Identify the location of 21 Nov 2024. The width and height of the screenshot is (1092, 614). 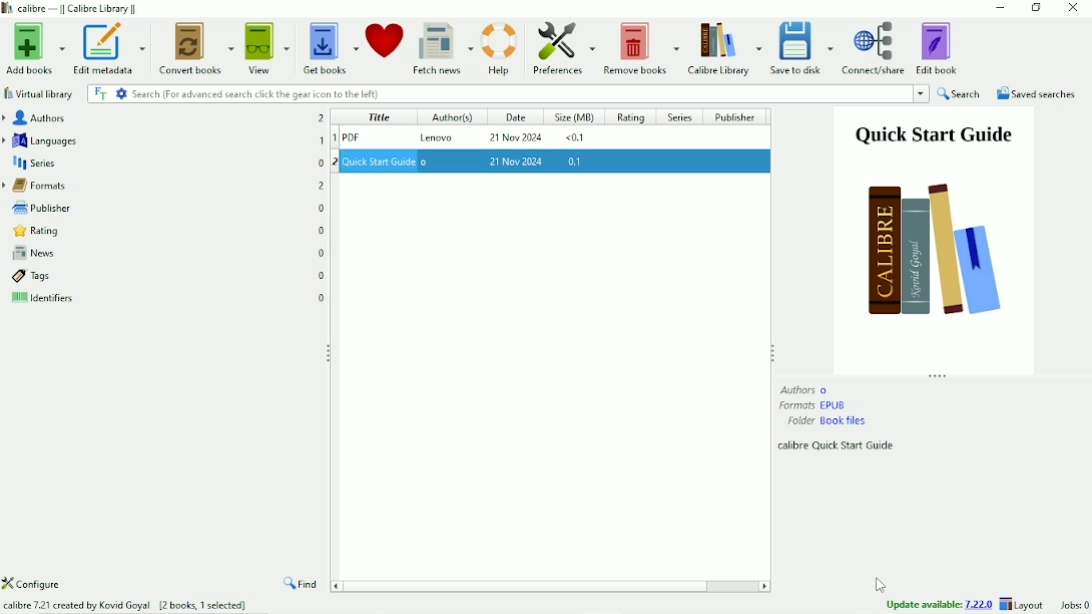
(517, 139).